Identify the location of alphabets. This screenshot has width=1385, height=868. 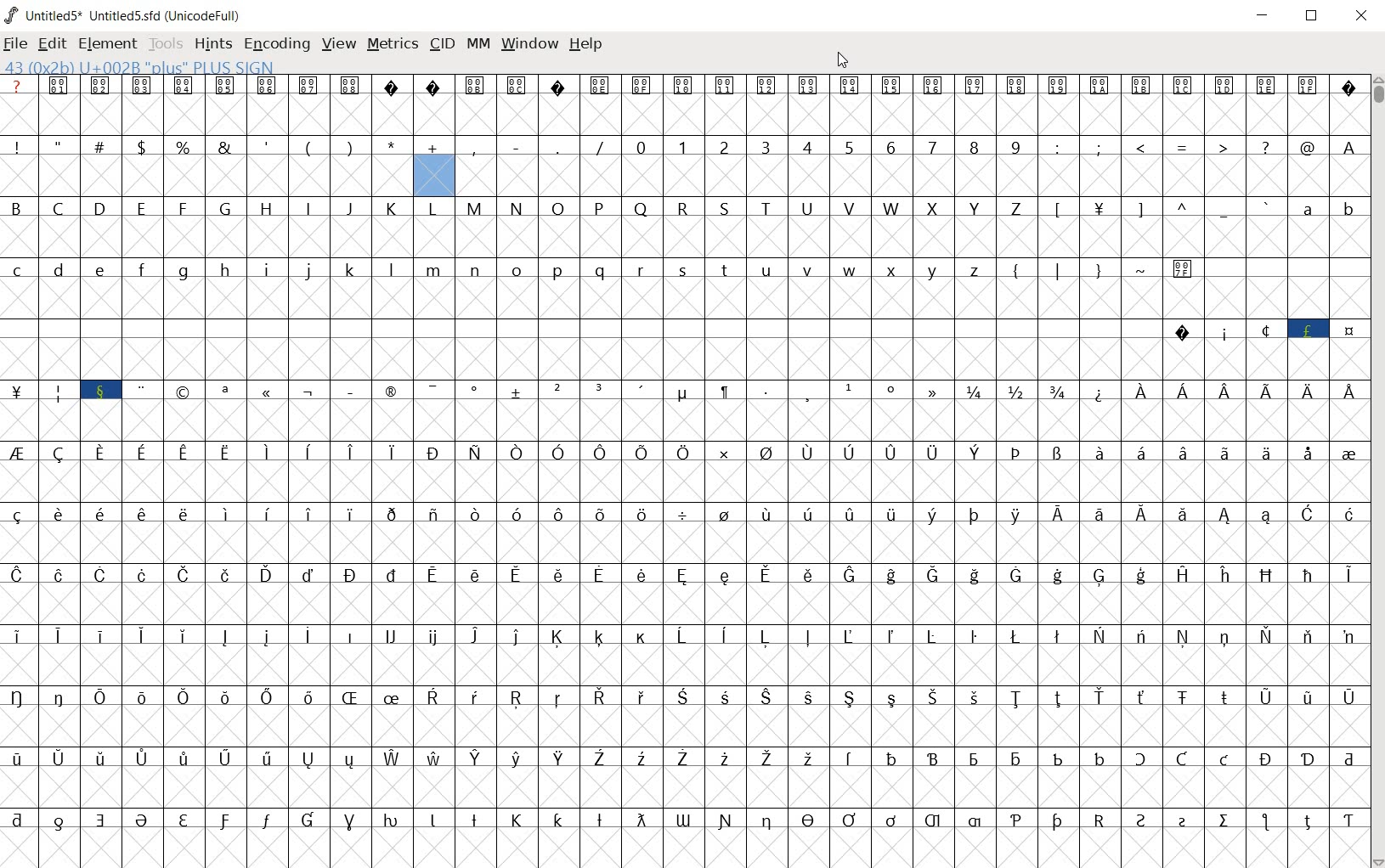
(499, 289).